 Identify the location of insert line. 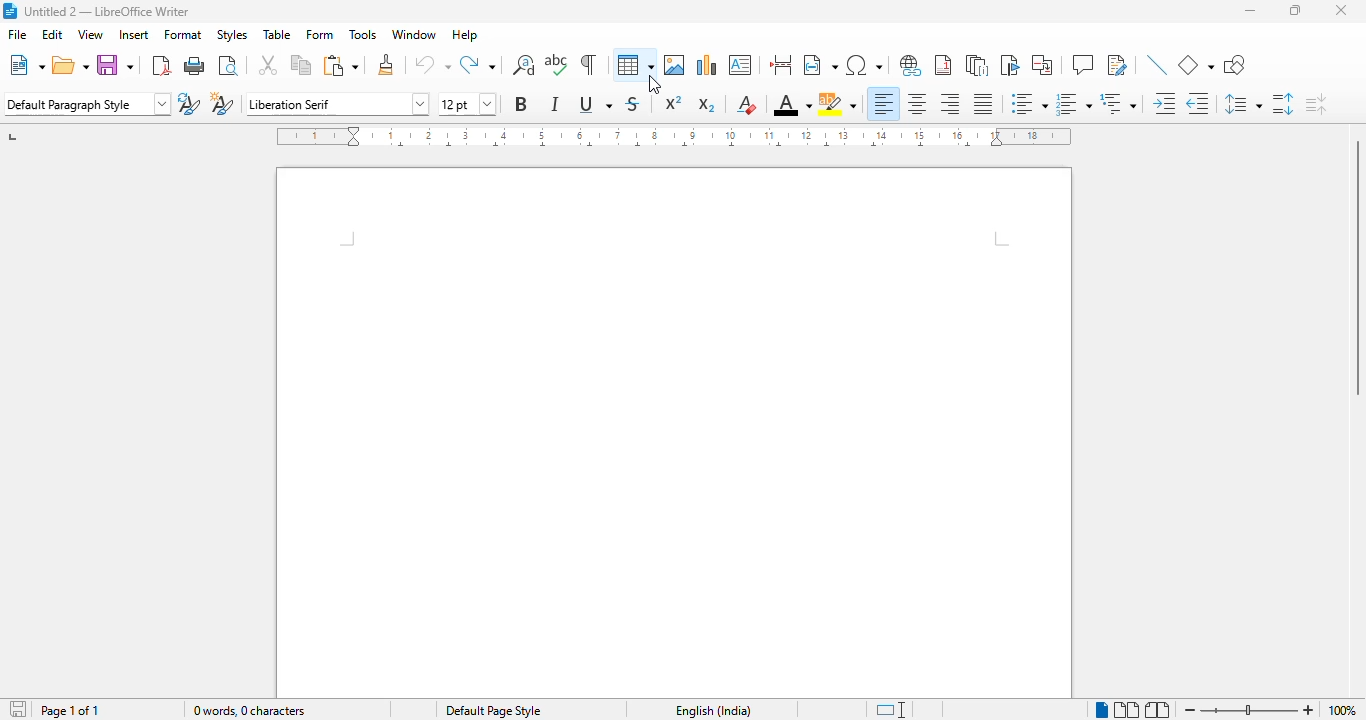
(1159, 64).